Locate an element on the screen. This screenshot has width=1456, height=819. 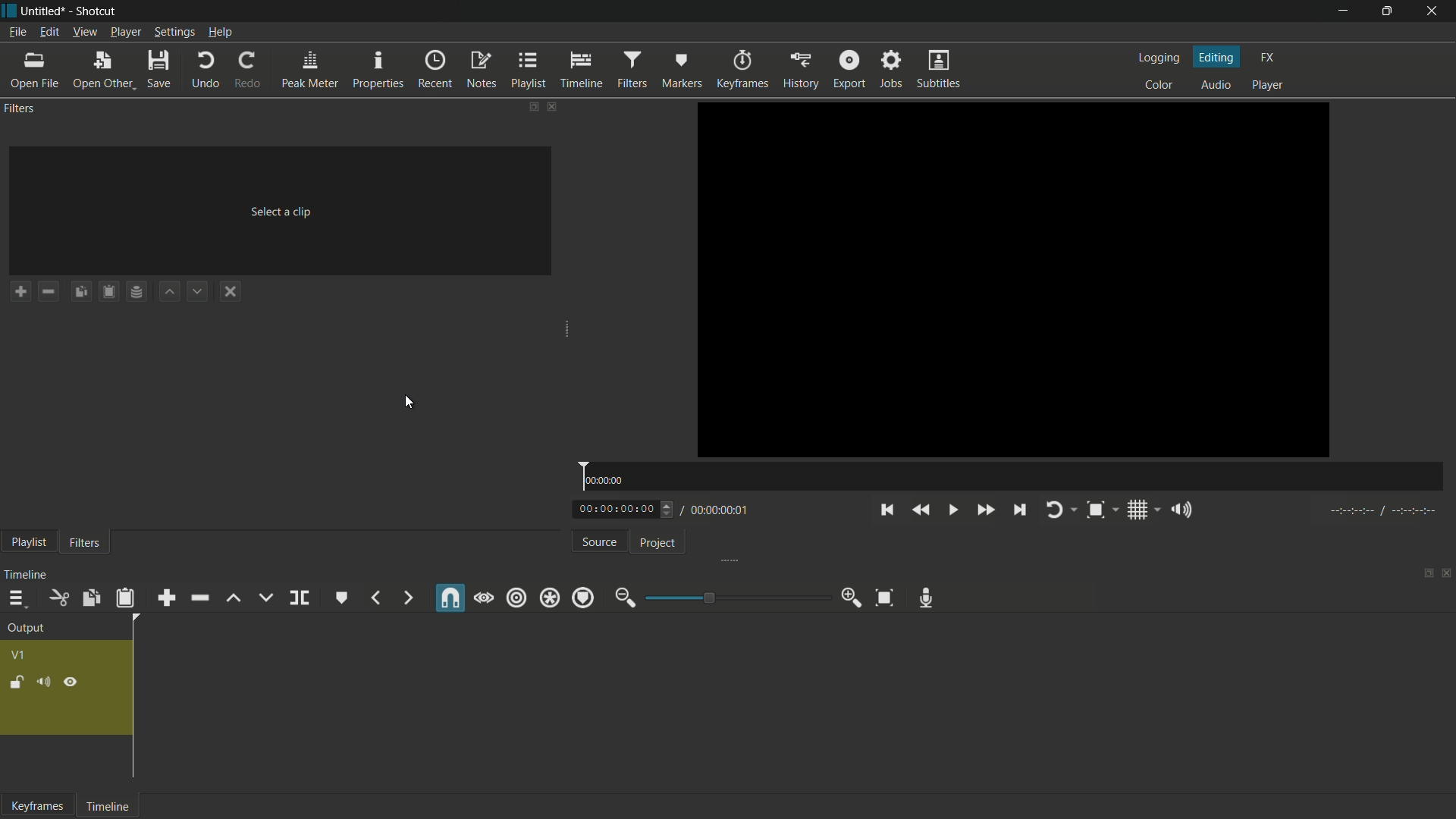
time is located at coordinates (1012, 475).